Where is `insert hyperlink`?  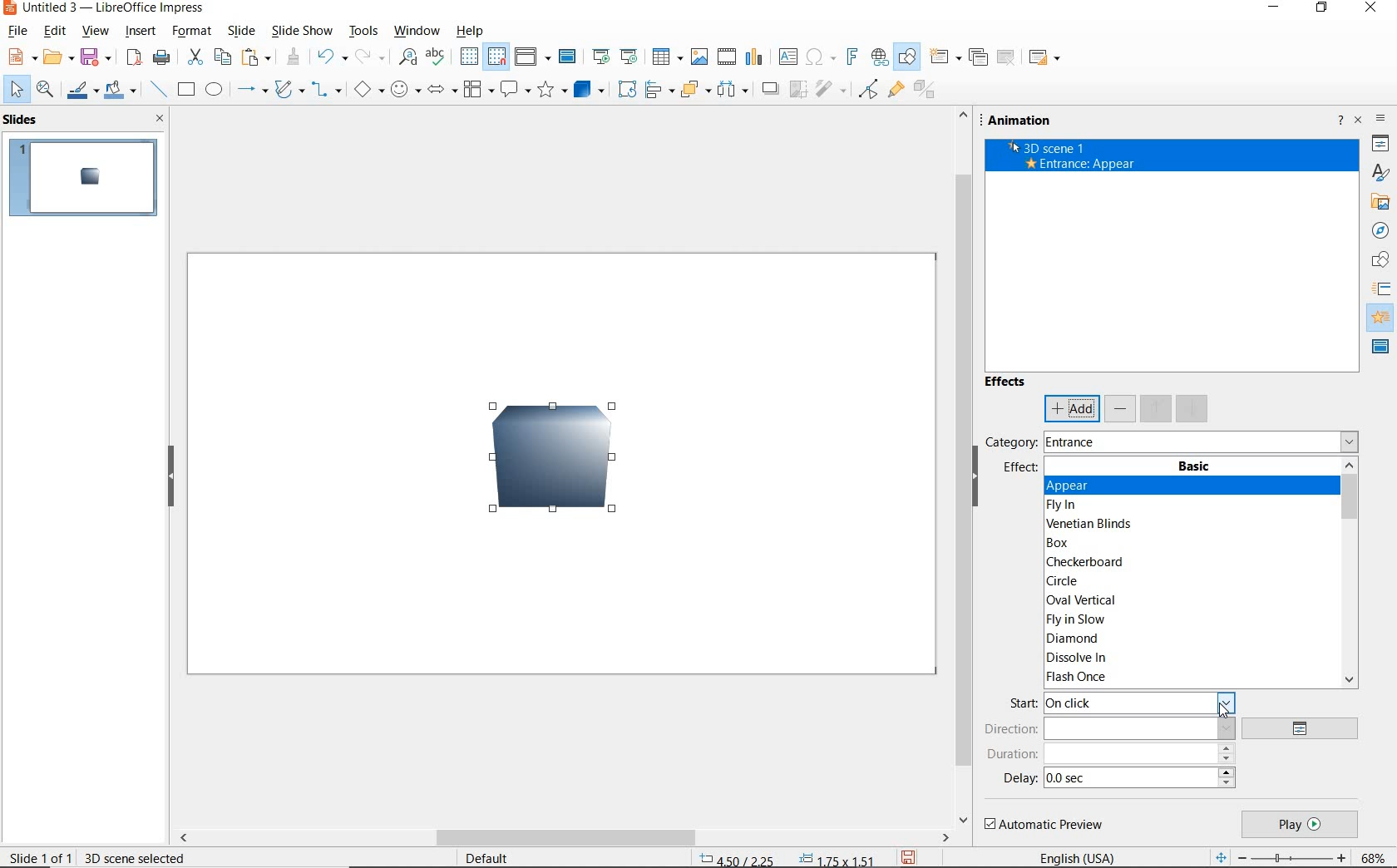 insert hyperlink is located at coordinates (877, 57).